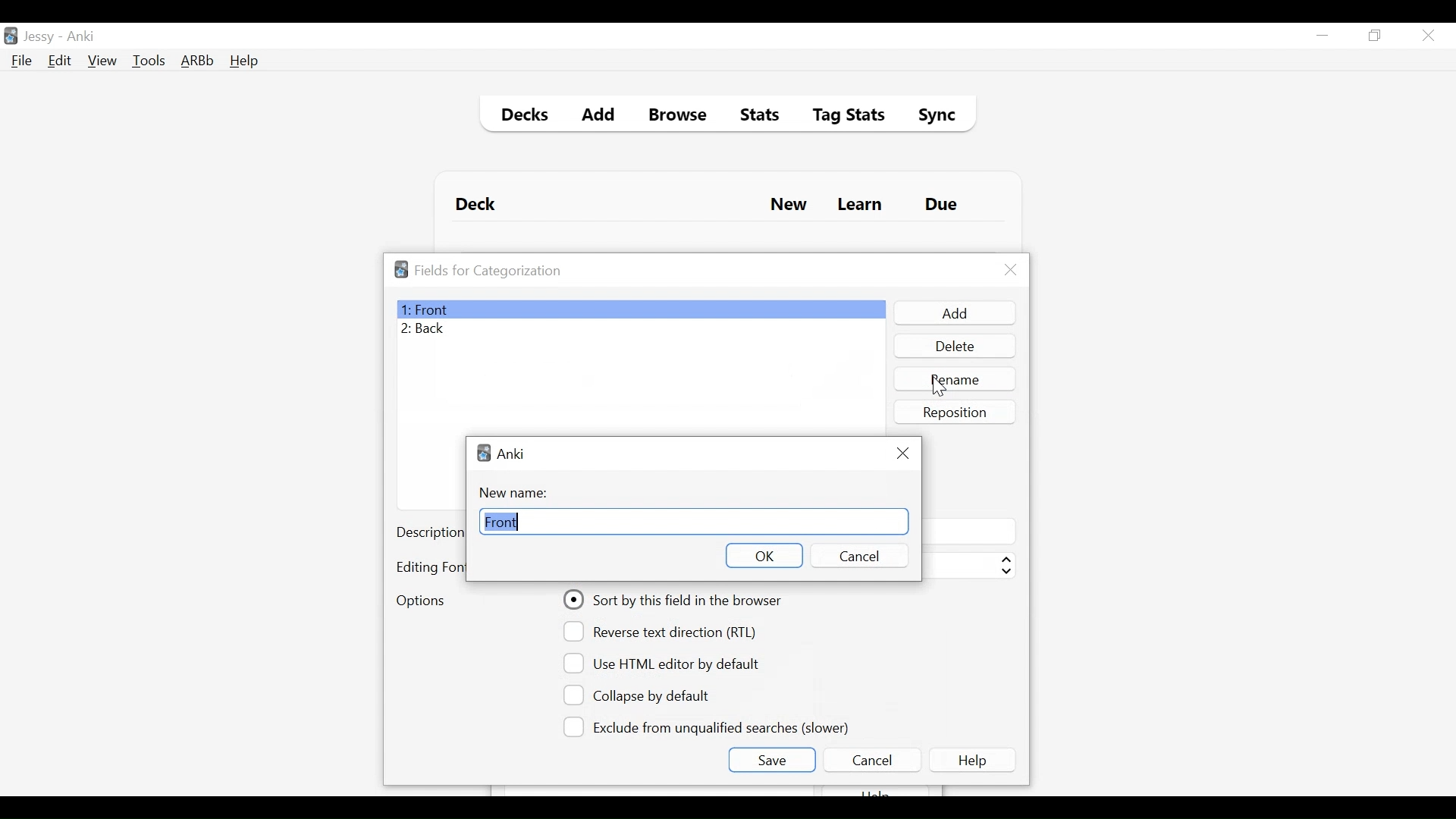  What do you see at coordinates (709, 726) in the screenshot?
I see `(un)select Exclude from unqualified searches` at bounding box center [709, 726].